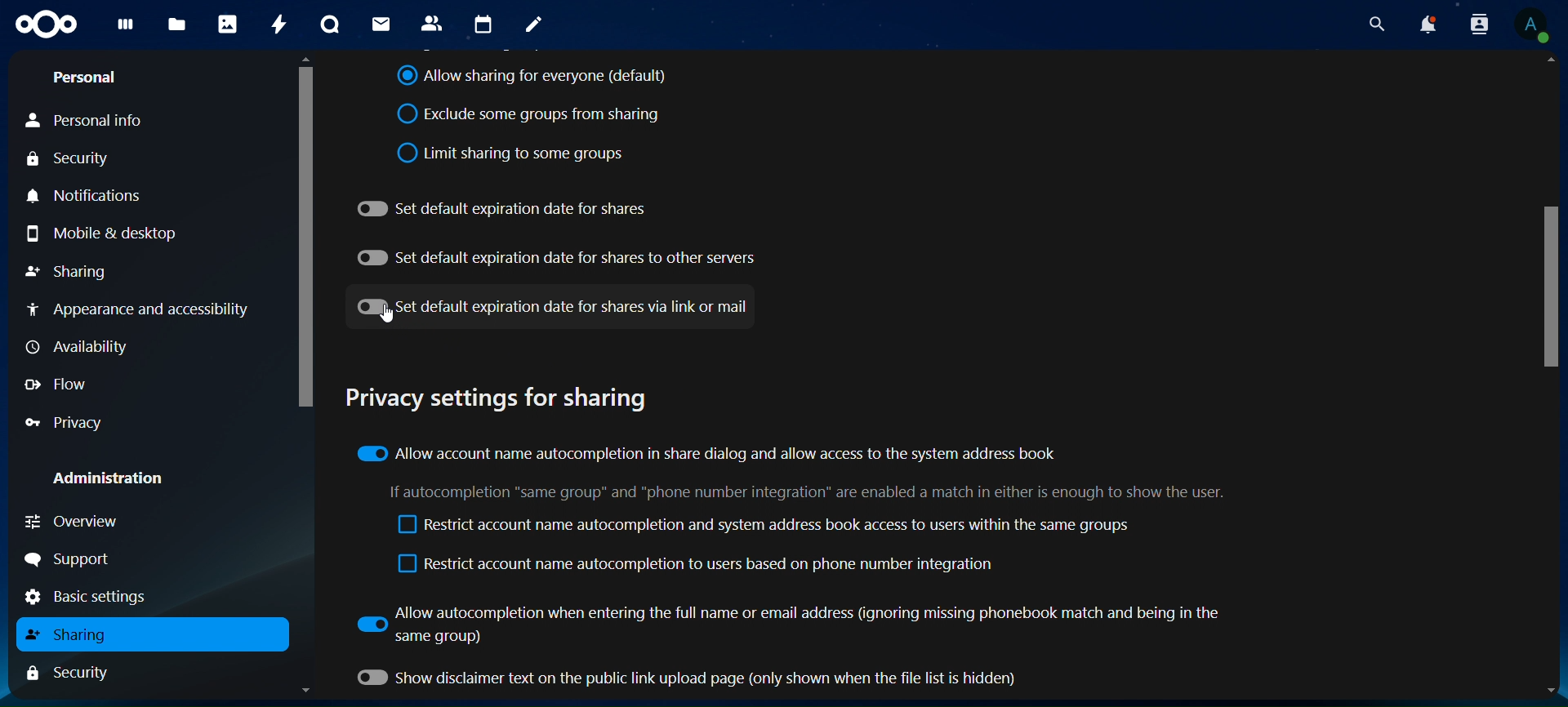 The width and height of the screenshot is (1568, 707). What do you see at coordinates (123, 31) in the screenshot?
I see `dashboard` at bounding box center [123, 31].